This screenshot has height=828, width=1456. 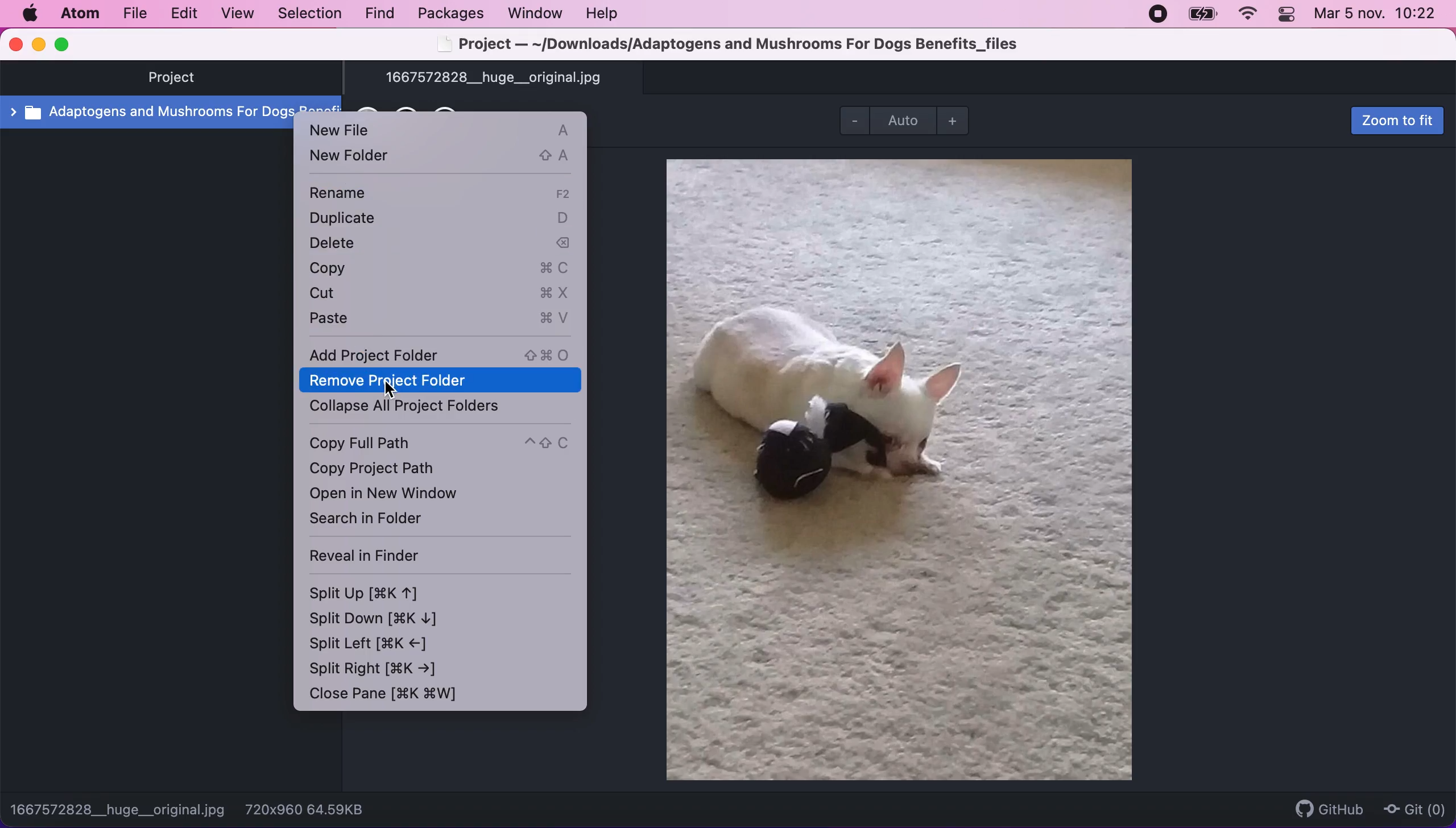 What do you see at coordinates (440, 441) in the screenshot?
I see `copy full path` at bounding box center [440, 441].